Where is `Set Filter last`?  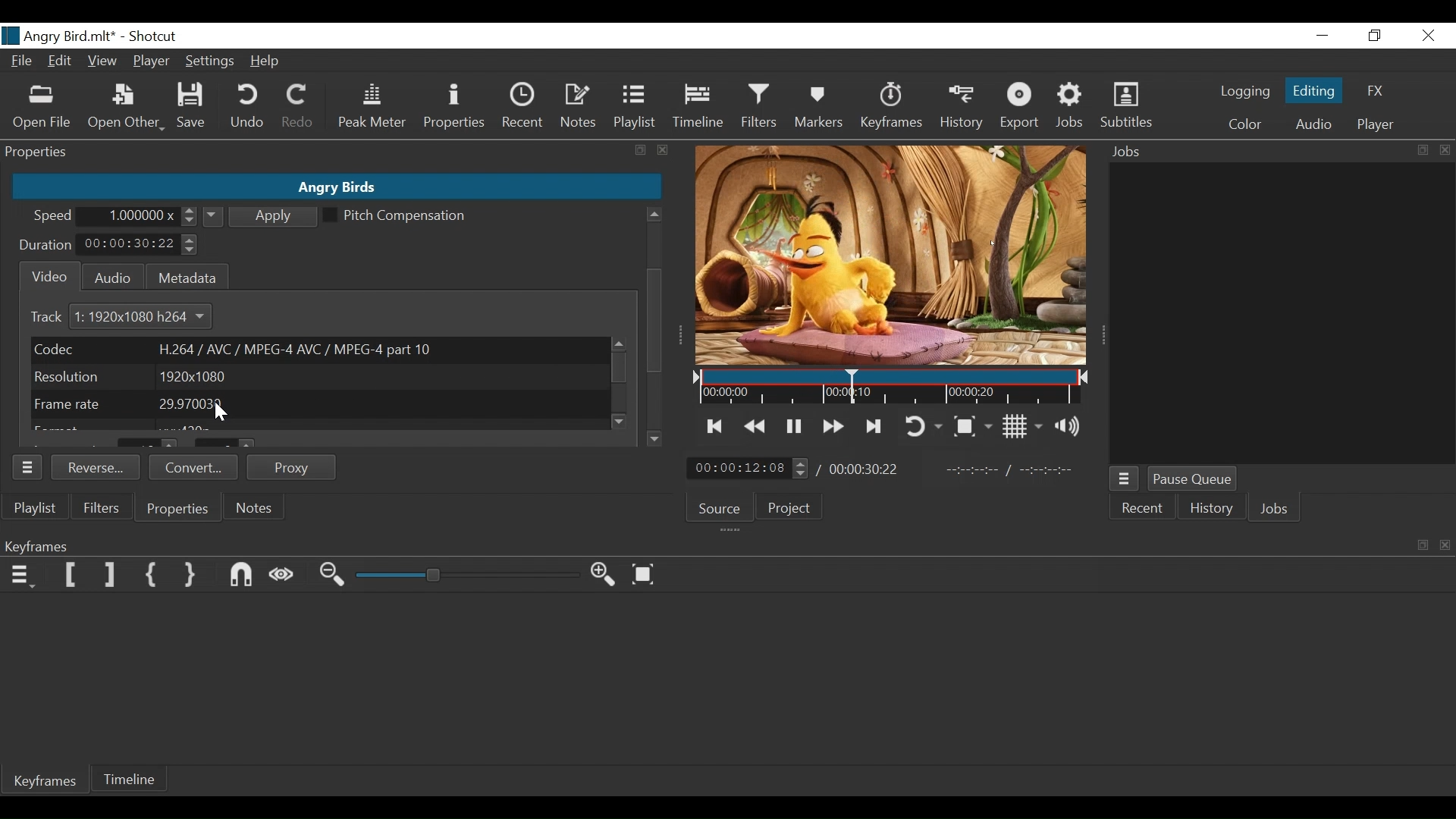 Set Filter last is located at coordinates (110, 576).